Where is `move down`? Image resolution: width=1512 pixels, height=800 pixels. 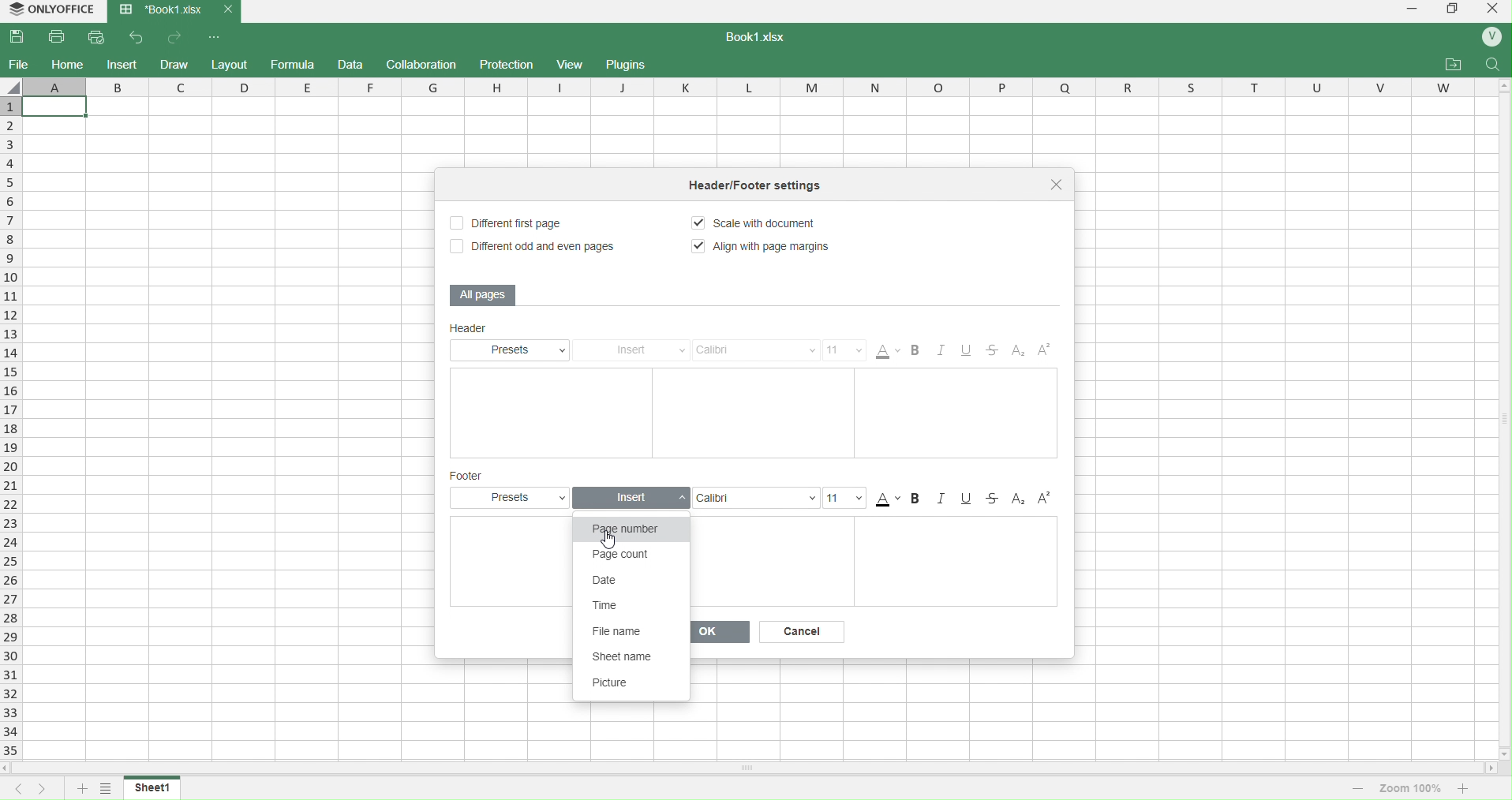
move down is located at coordinates (1503, 753).